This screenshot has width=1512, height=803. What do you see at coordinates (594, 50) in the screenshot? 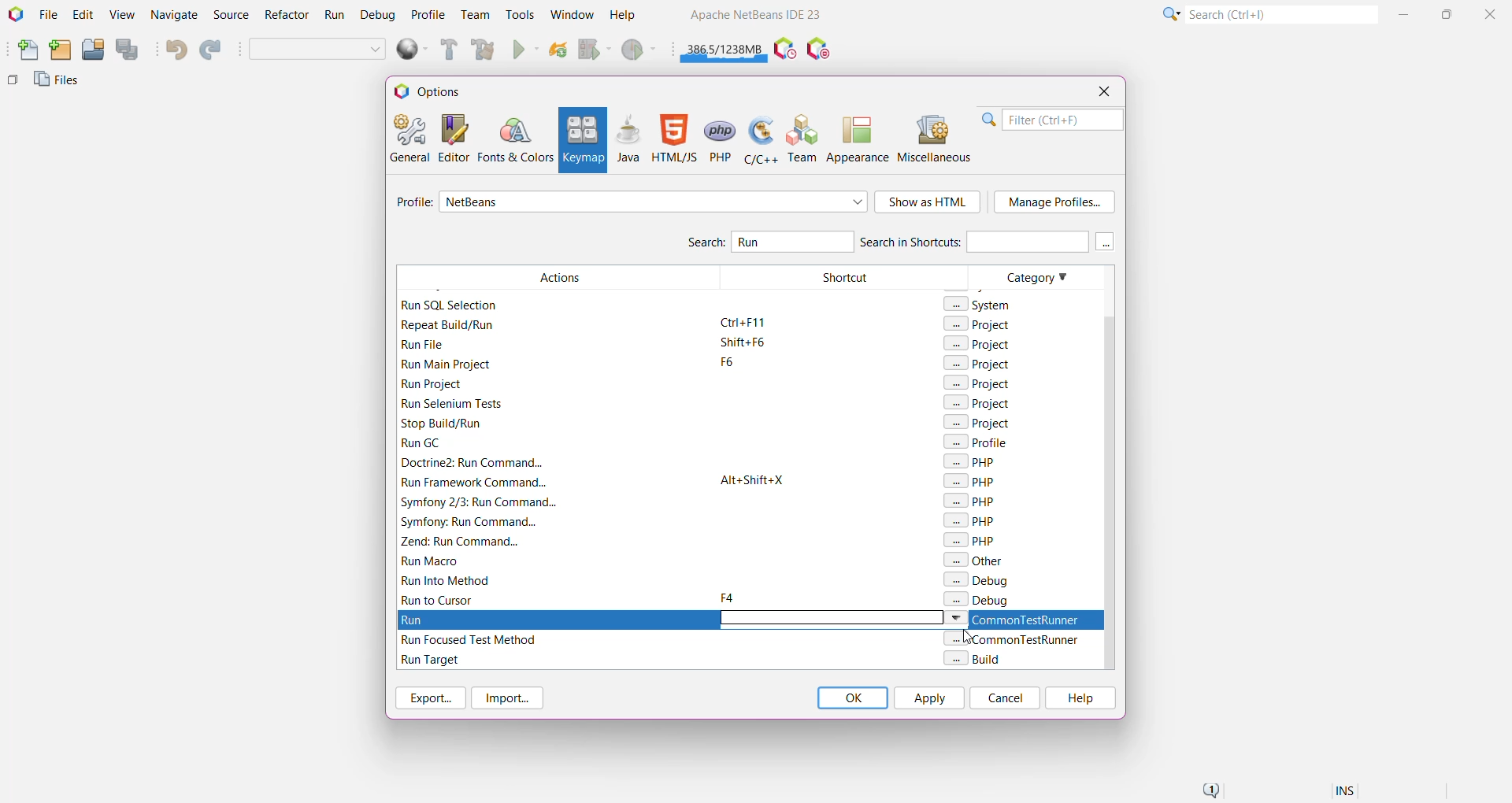
I see `Debug Main Project` at bounding box center [594, 50].